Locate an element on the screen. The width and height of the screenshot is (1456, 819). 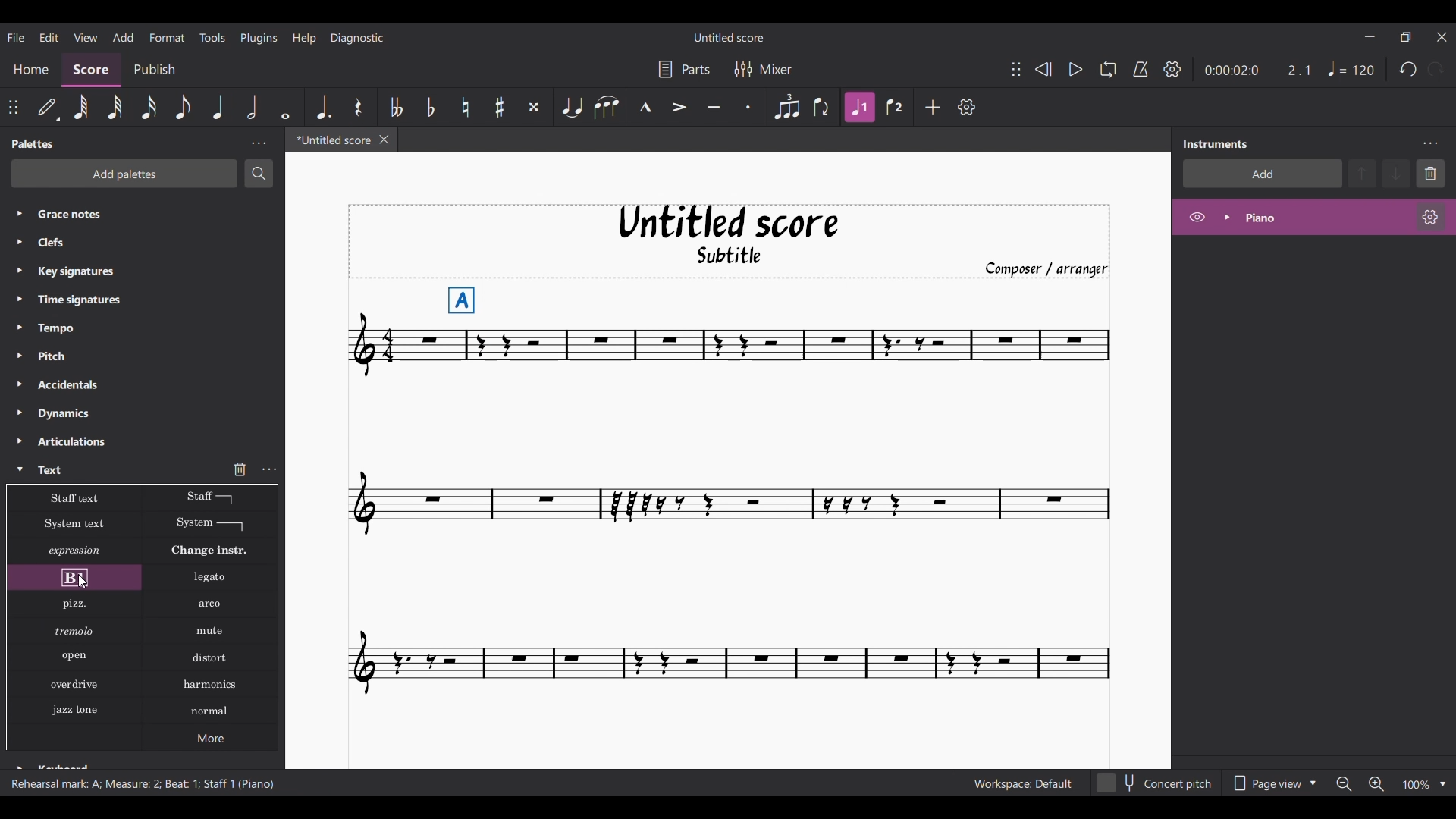
Show interface in a smaller tab is located at coordinates (1406, 37).